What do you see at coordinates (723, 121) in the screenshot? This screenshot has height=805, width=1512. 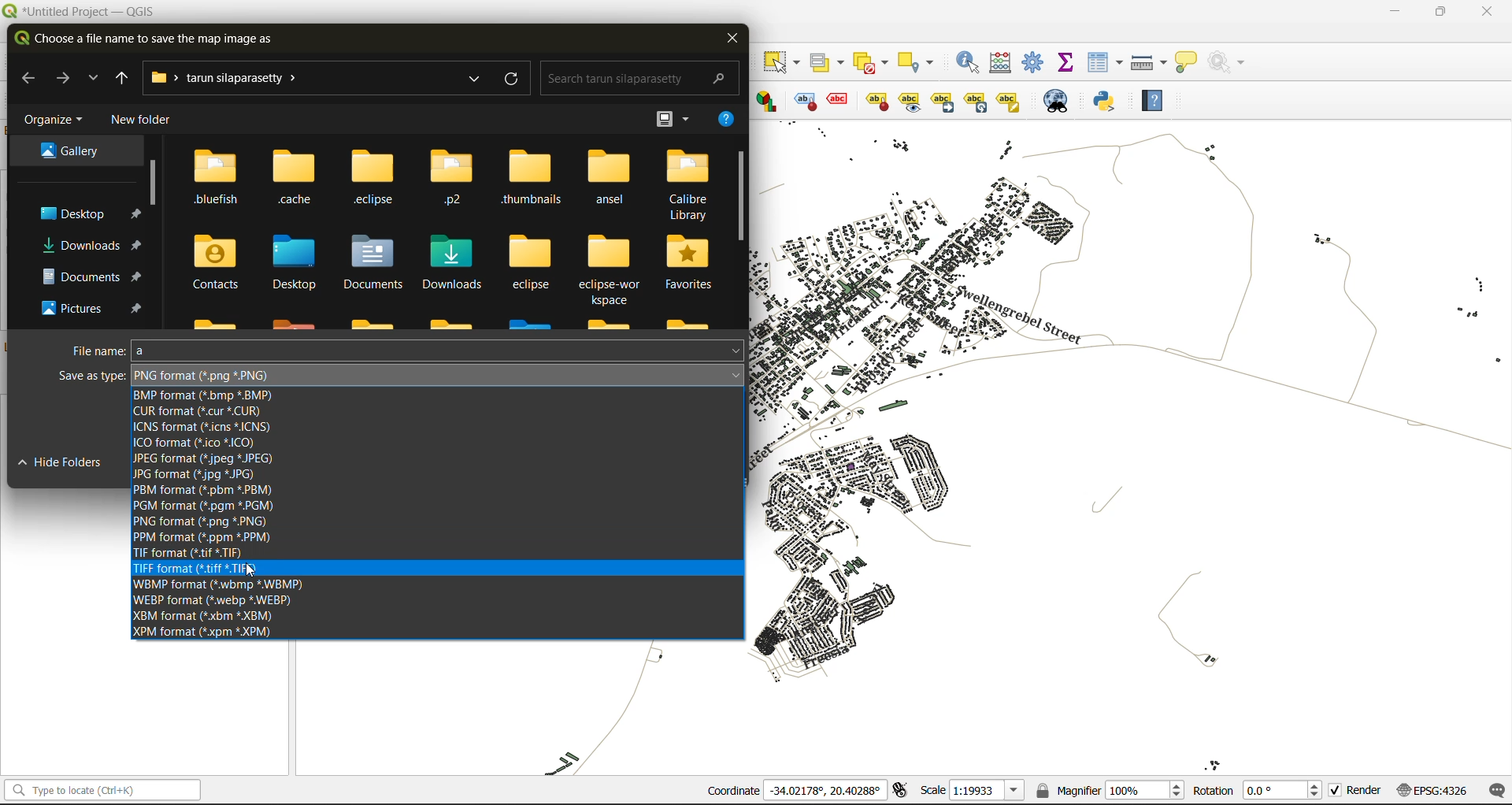 I see `help` at bounding box center [723, 121].